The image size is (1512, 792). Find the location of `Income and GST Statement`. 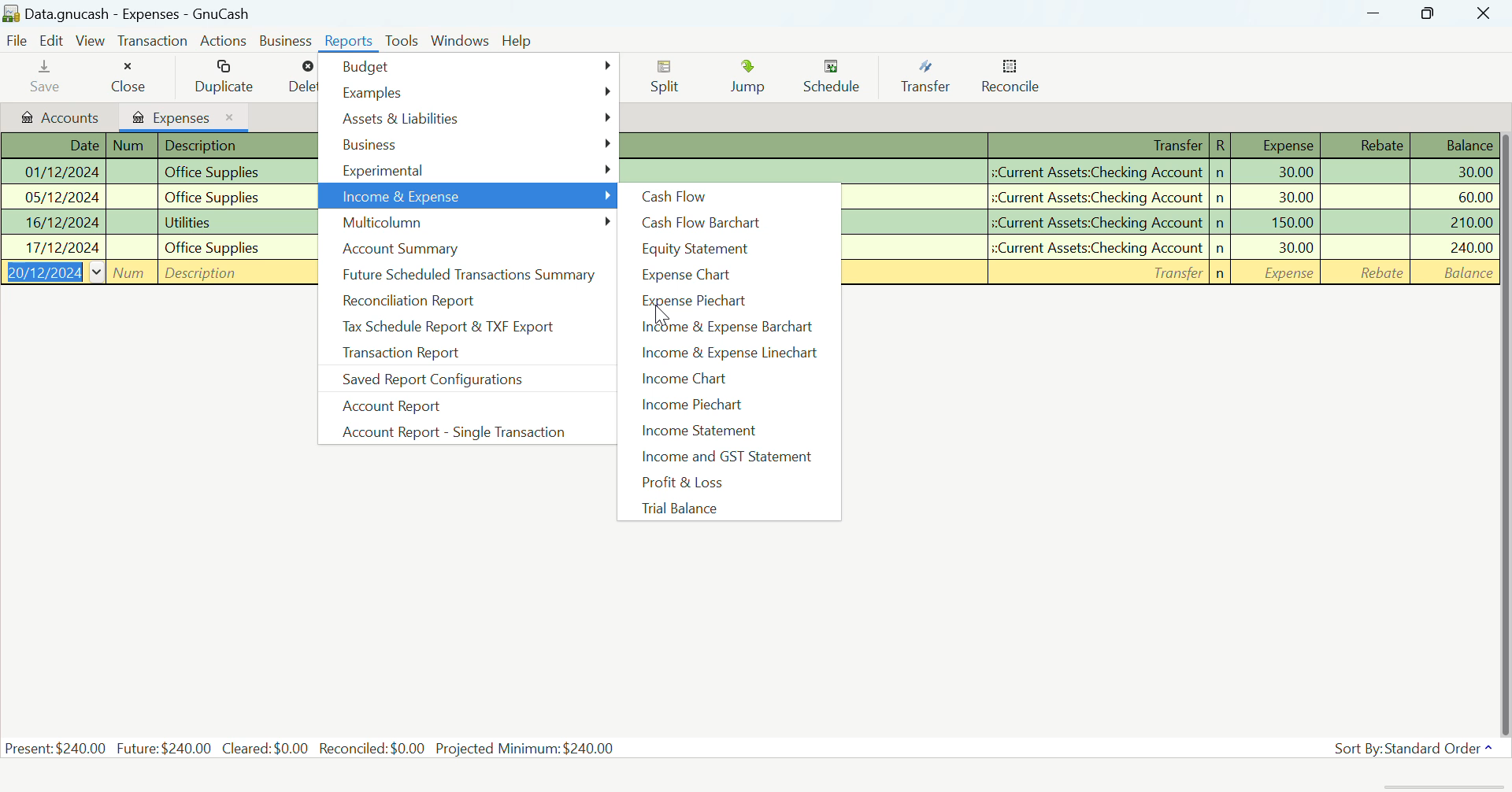

Income and GST Statement is located at coordinates (732, 458).